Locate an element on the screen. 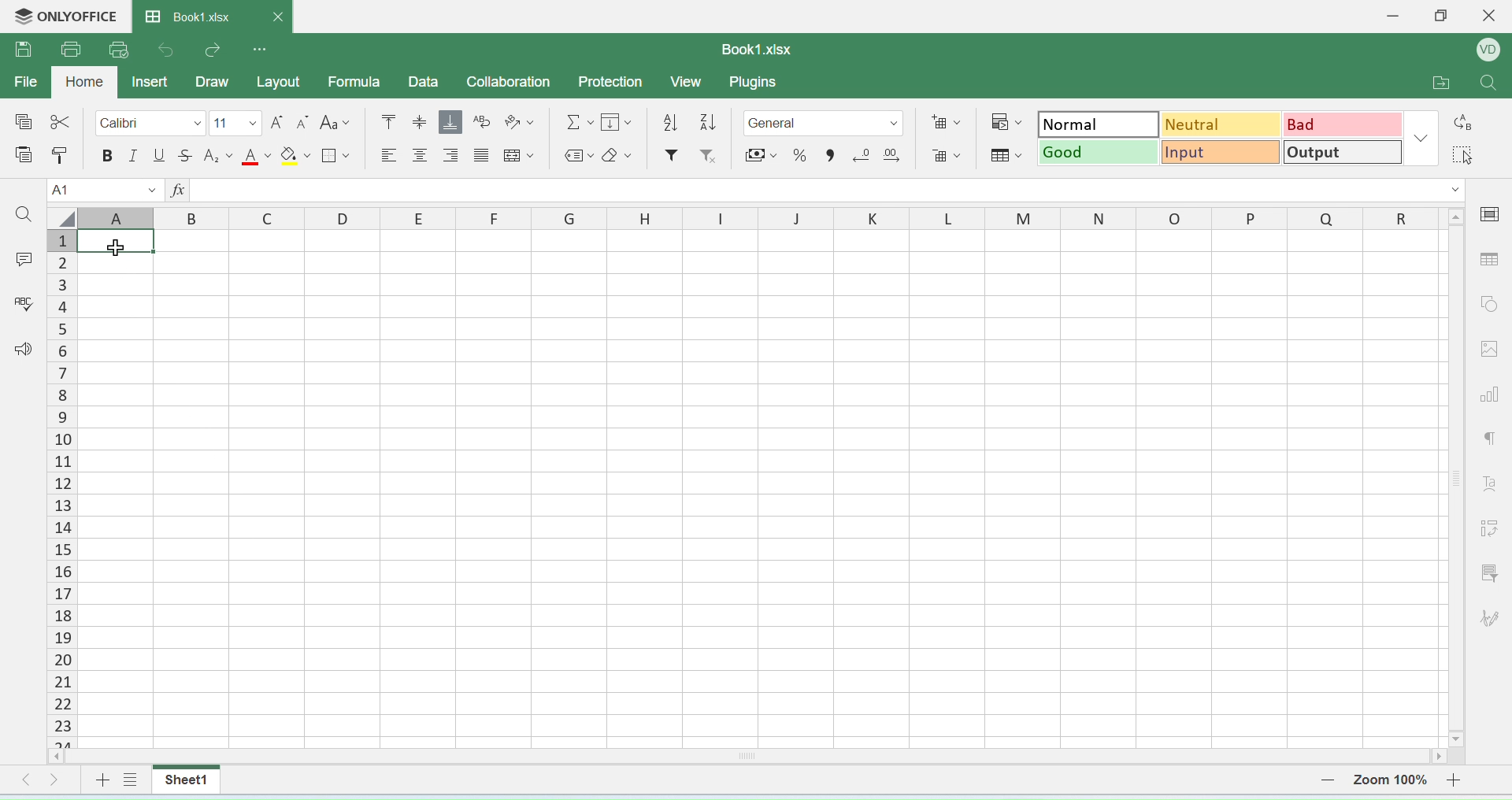 This screenshot has width=1512, height=800. search is located at coordinates (1484, 86).